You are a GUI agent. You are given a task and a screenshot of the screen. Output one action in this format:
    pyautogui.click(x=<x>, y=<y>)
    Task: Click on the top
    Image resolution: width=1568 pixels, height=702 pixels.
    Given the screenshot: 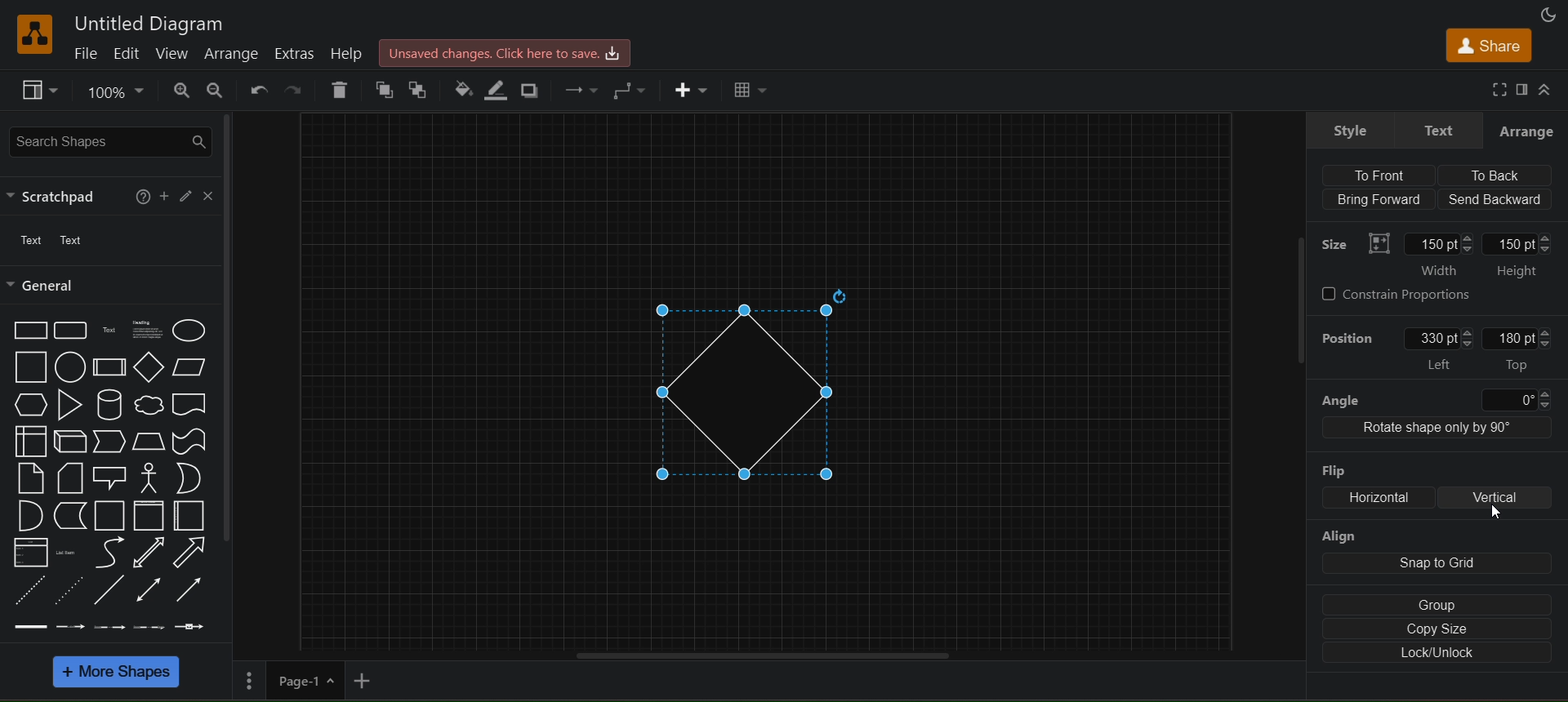 What is the action you would take?
    pyautogui.click(x=1512, y=349)
    